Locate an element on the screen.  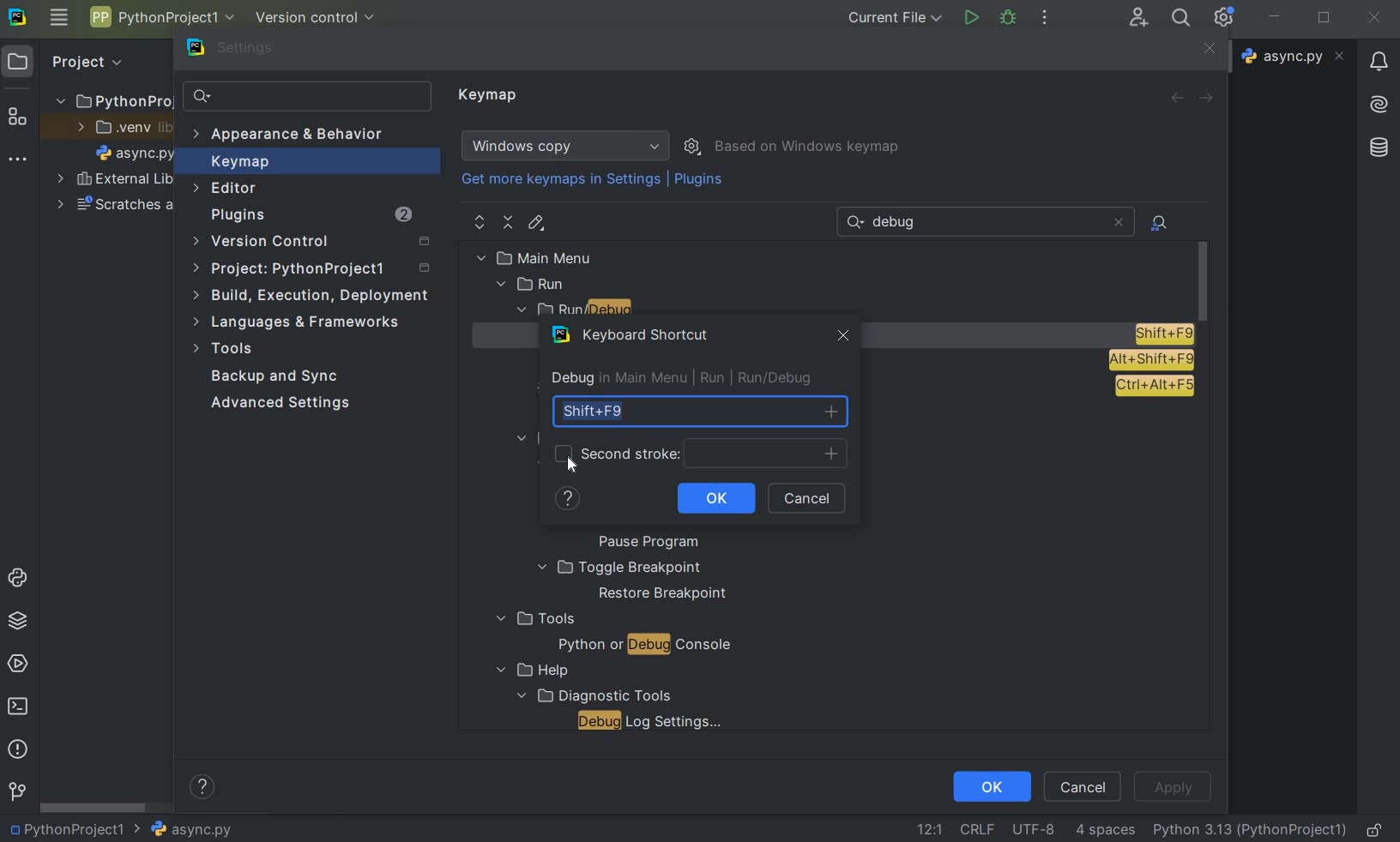
show scheme actions is located at coordinates (694, 145).